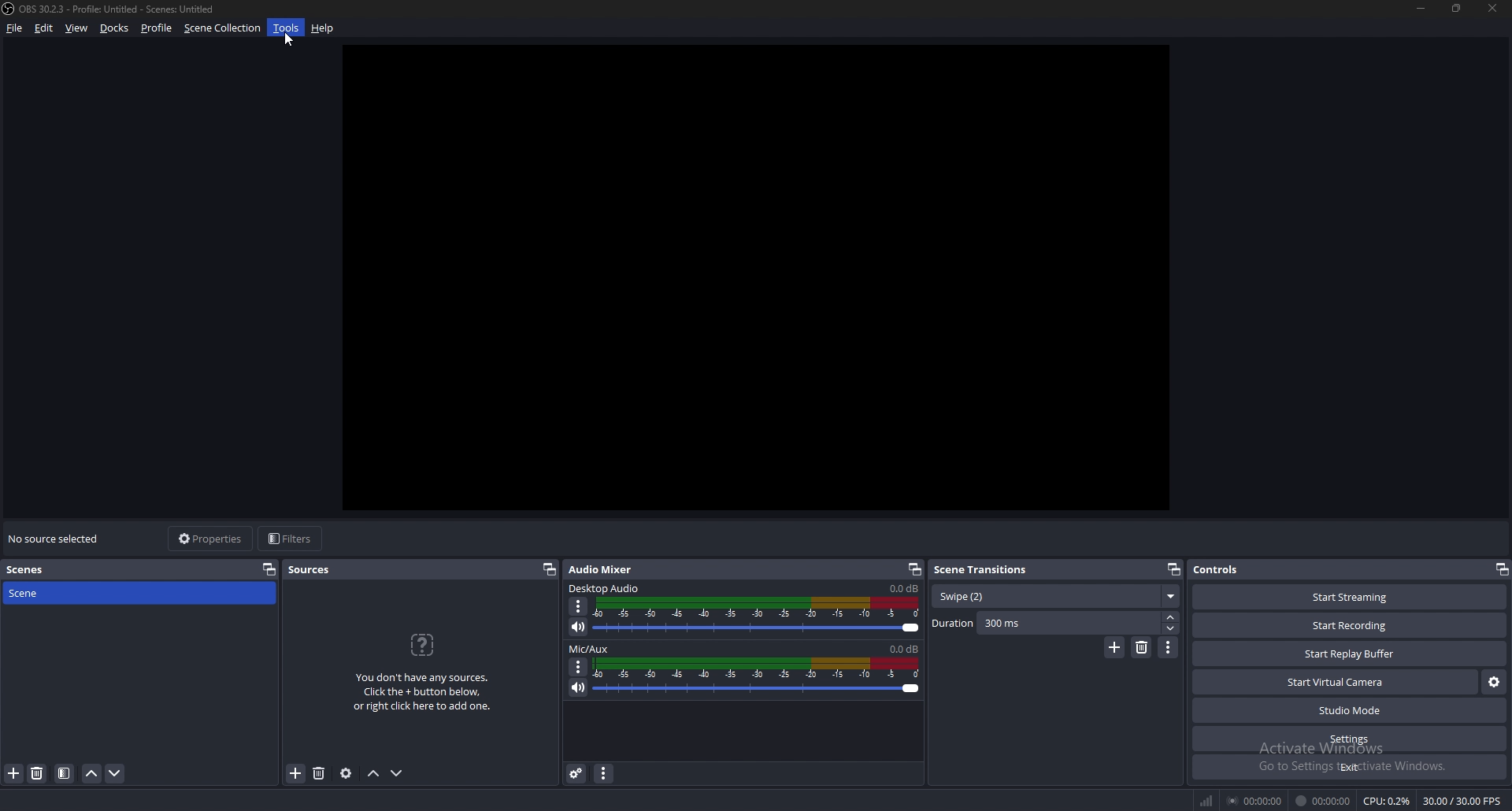 This screenshot has height=811, width=1512. Describe the element at coordinates (1349, 626) in the screenshot. I see `start recording` at that location.